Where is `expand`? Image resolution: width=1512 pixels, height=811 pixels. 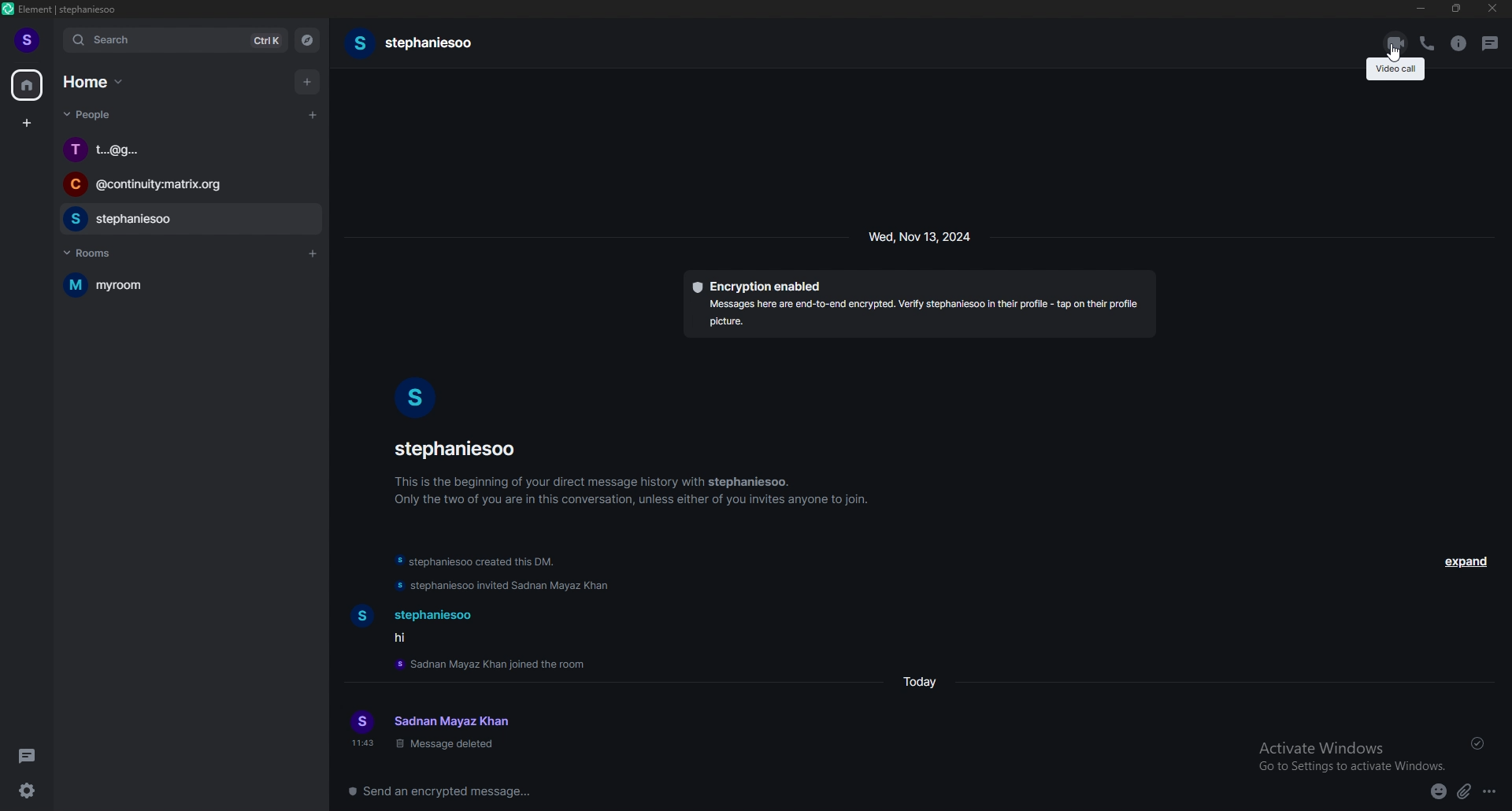
expand is located at coordinates (1465, 561).